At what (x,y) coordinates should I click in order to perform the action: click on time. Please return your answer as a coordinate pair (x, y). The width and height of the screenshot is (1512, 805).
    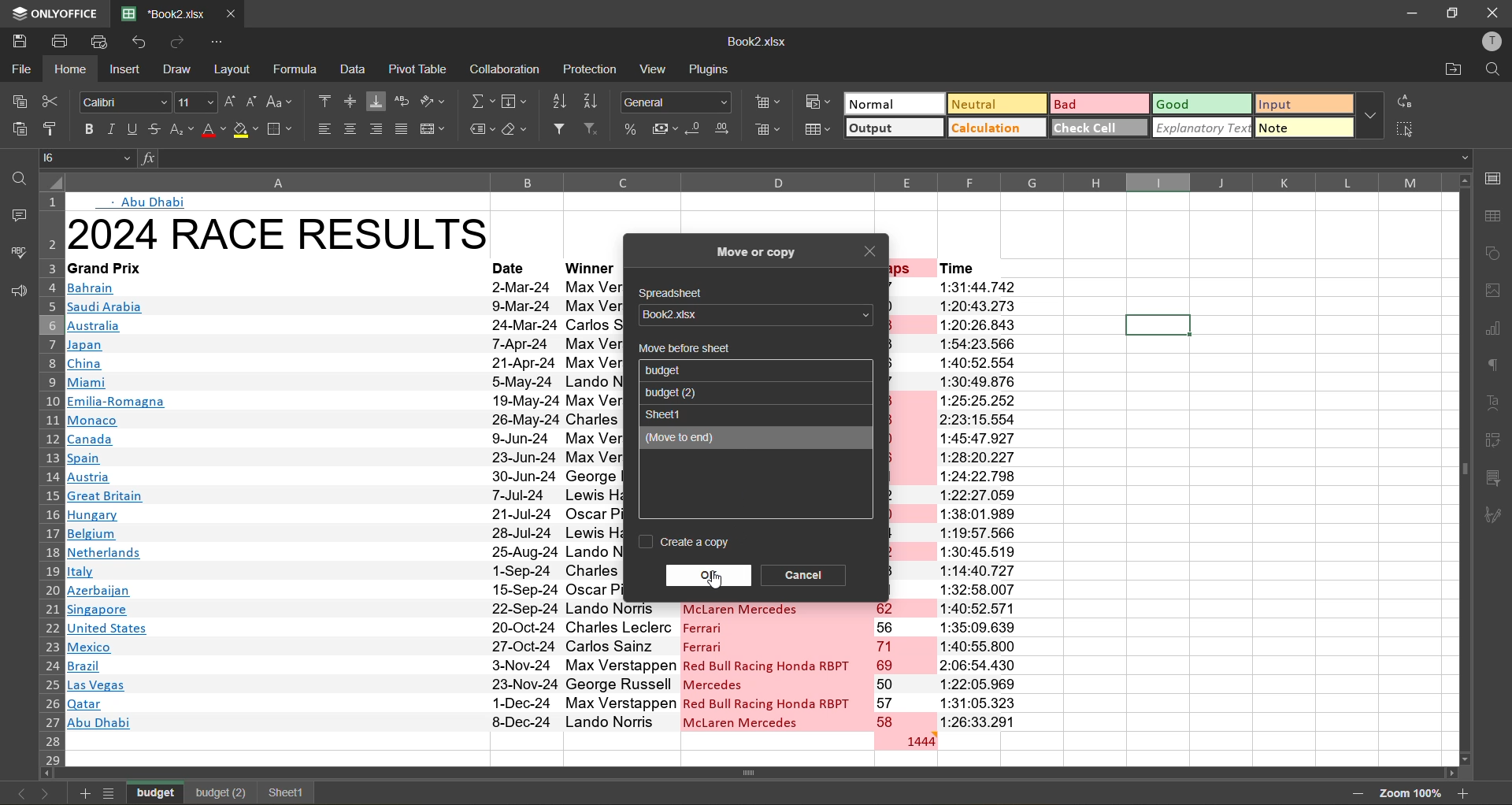
    Looking at the image, I should click on (977, 267).